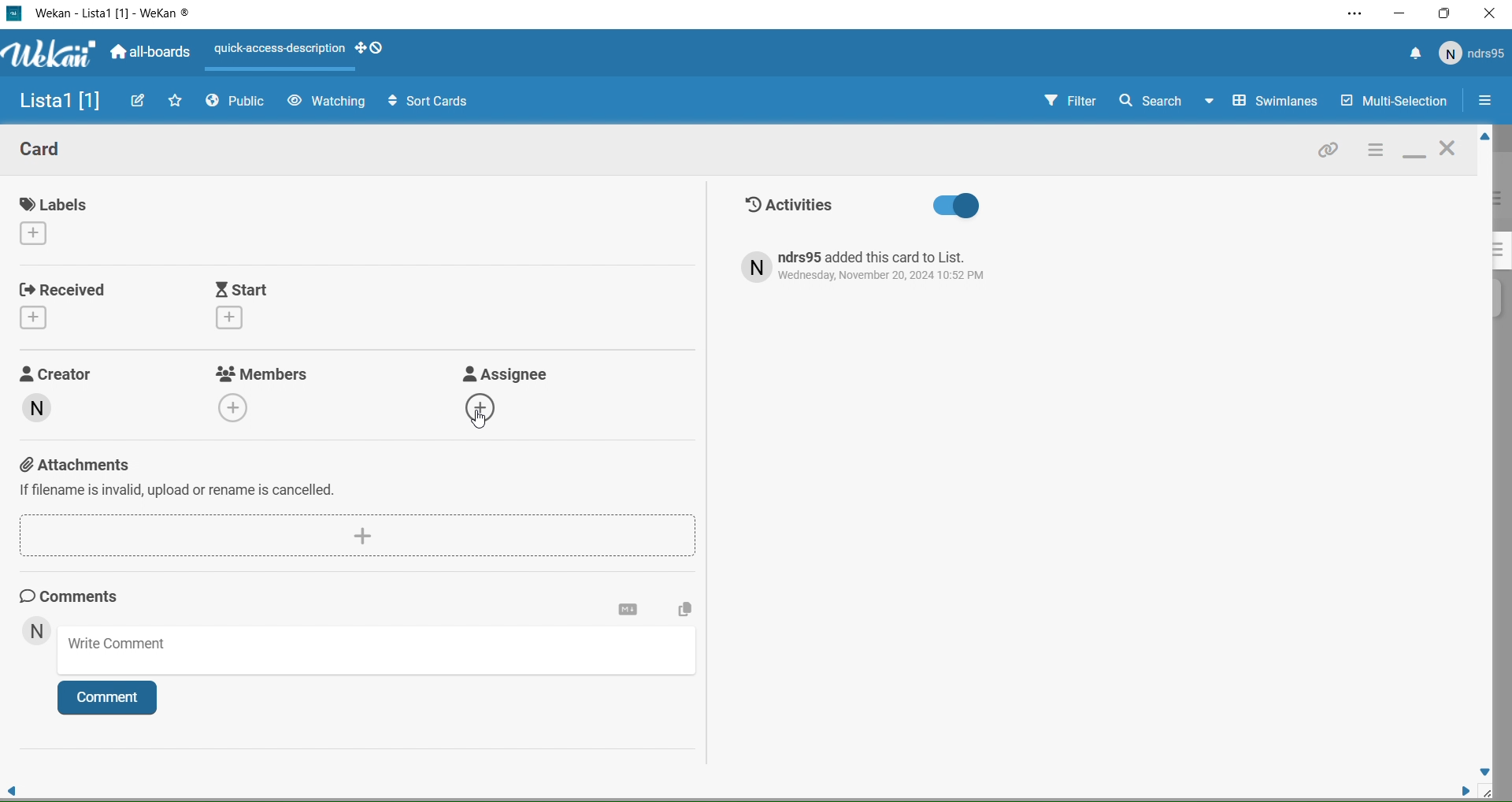  I want to click on Search, so click(1150, 100).